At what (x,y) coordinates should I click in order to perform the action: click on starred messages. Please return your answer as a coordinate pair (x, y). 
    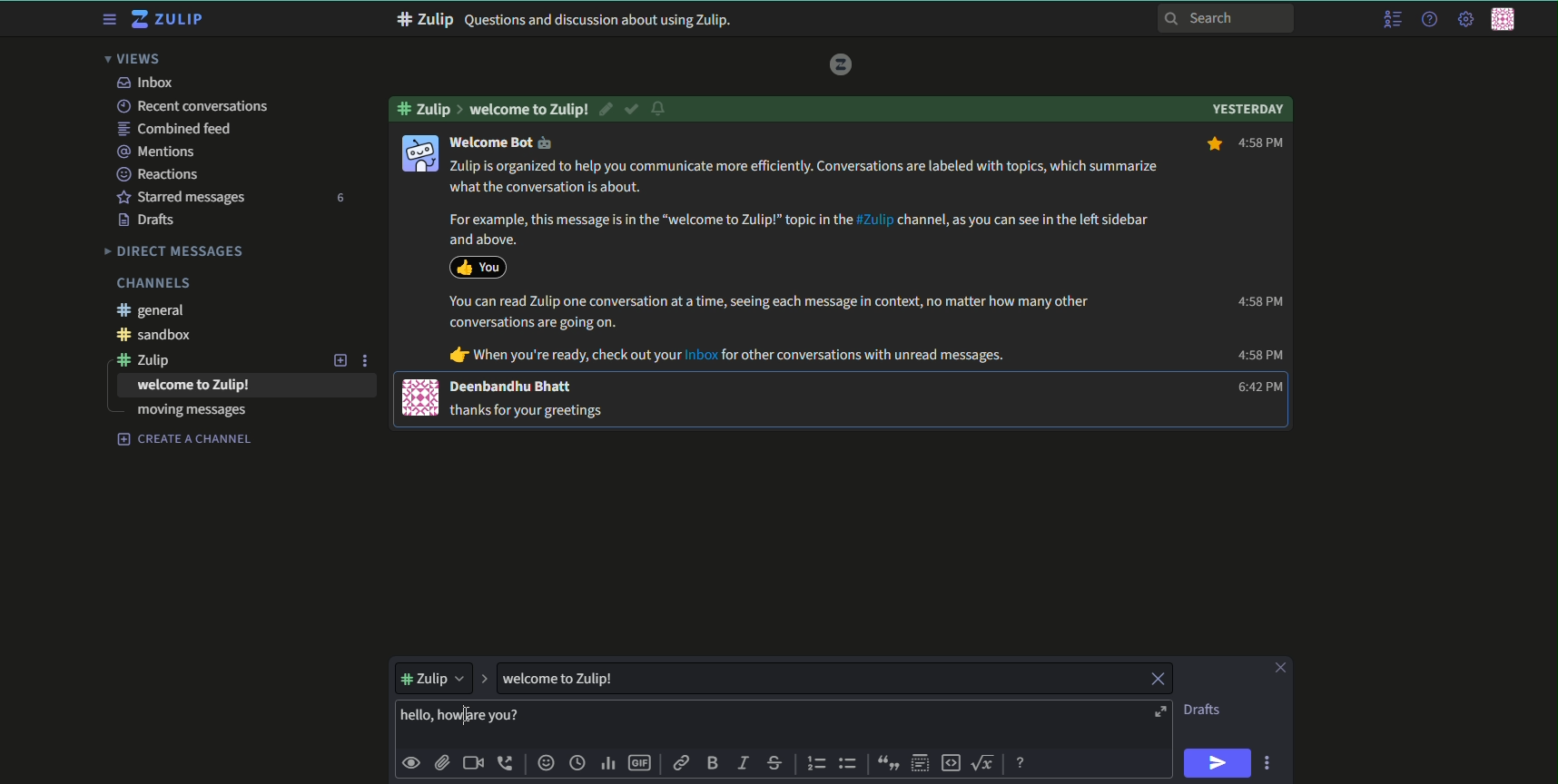
    Looking at the image, I should click on (181, 196).